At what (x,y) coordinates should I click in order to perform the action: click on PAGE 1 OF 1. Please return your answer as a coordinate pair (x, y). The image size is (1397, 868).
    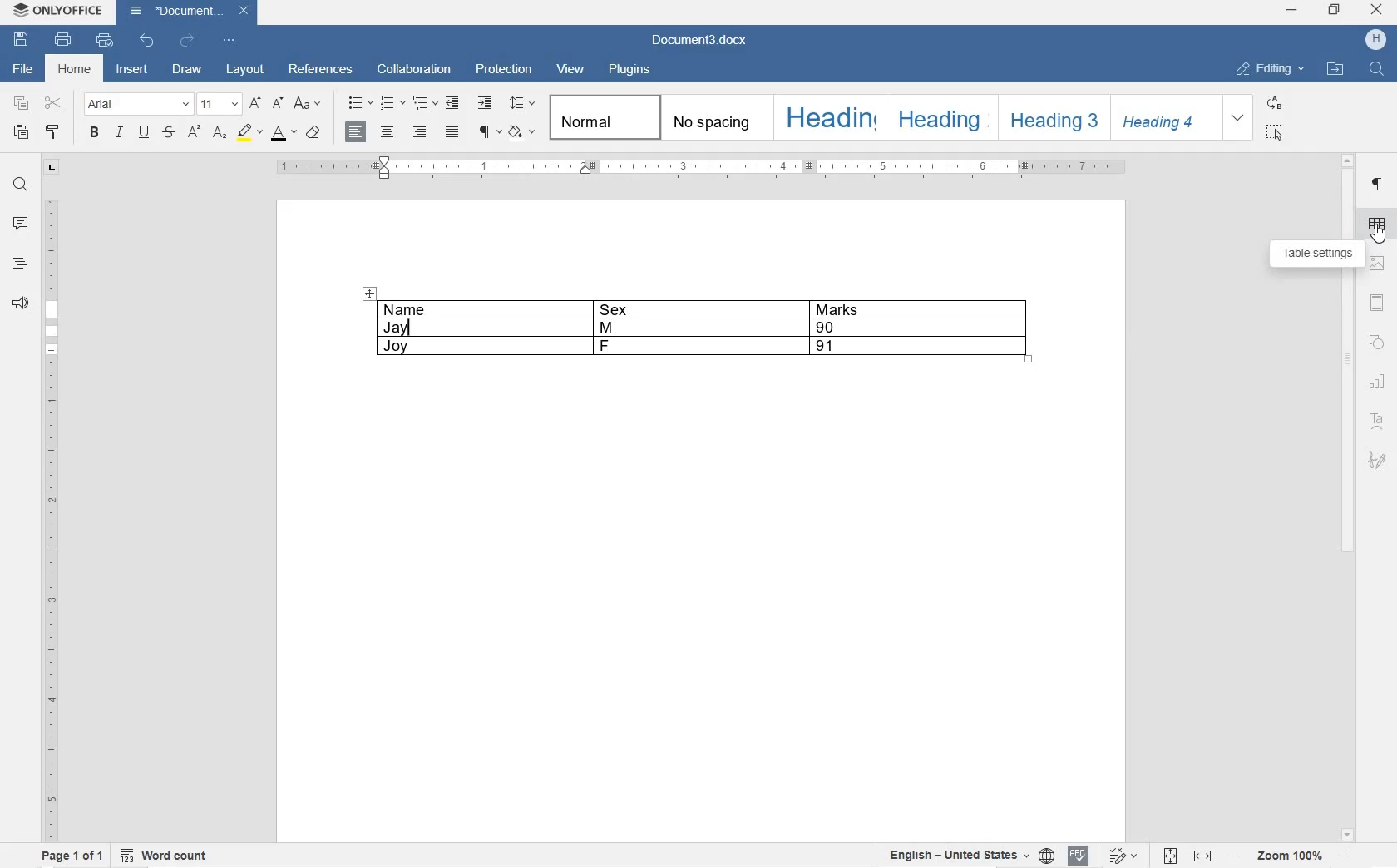
    Looking at the image, I should click on (71, 855).